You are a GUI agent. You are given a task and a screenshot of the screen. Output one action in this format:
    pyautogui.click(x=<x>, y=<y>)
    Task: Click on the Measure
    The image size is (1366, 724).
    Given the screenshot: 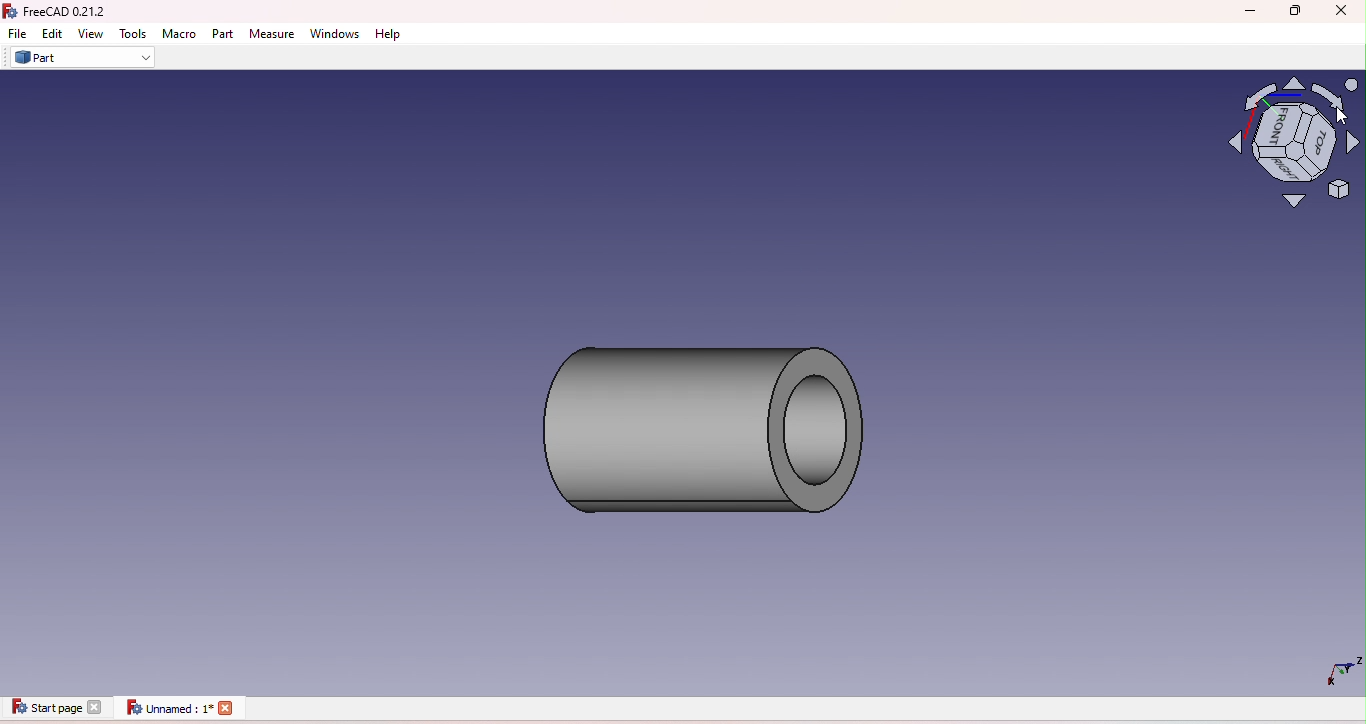 What is the action you would take?
    pyautogui.click(x=274, y=35)
    